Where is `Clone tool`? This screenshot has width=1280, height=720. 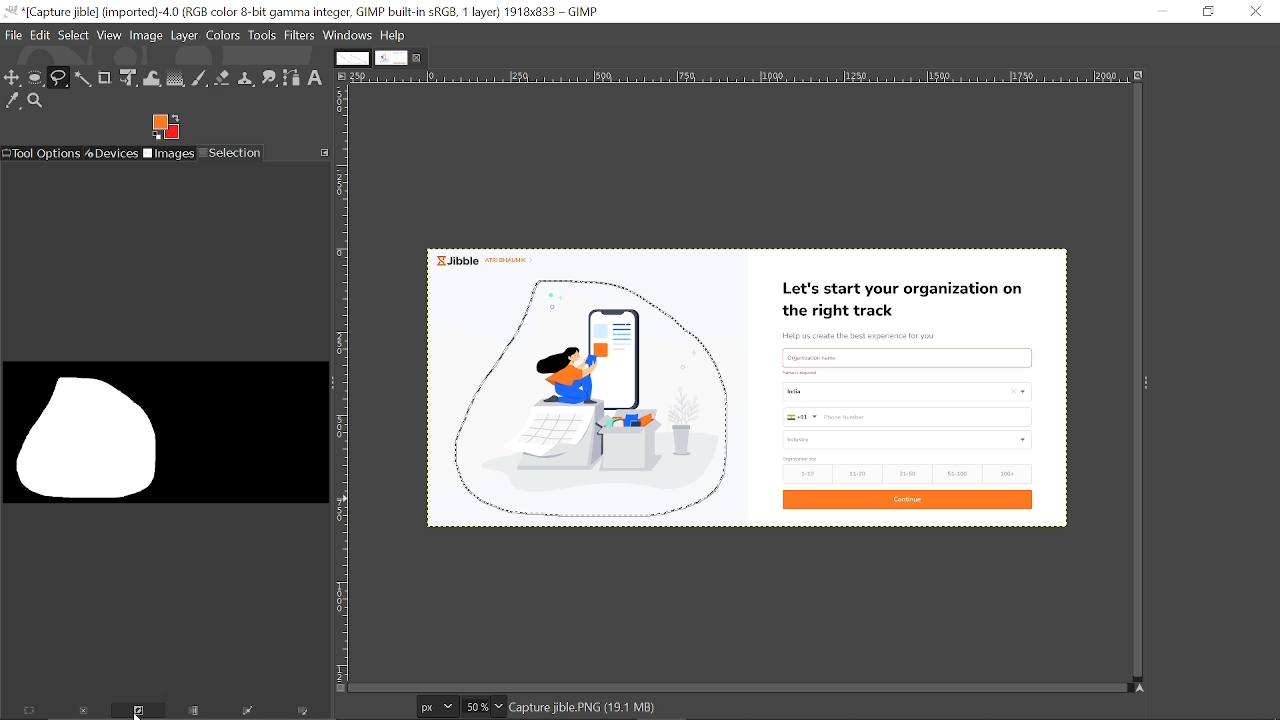 Clone tool is located at coordinates (247, 78).